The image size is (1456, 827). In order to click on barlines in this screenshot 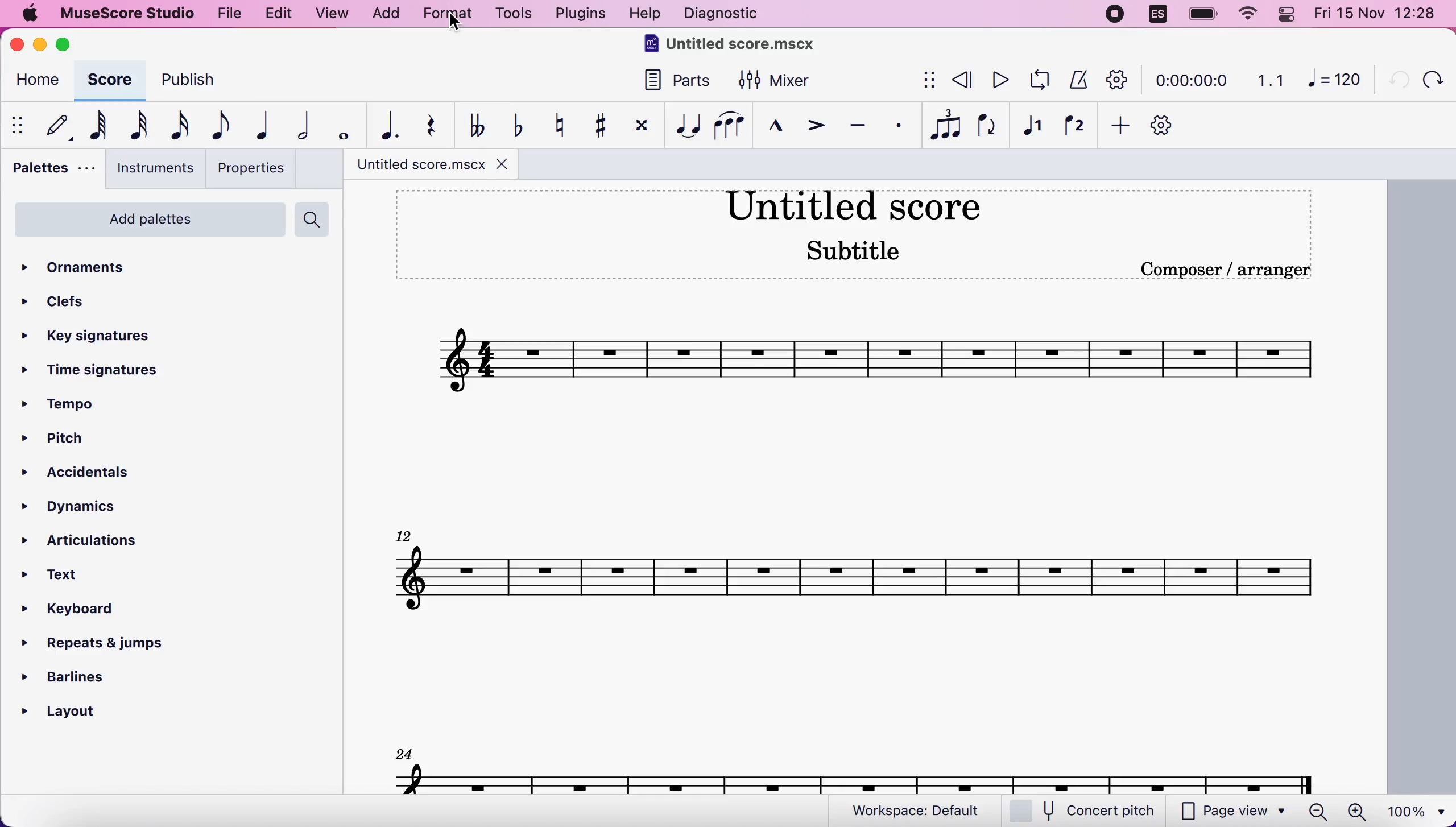, I will do `click(94, 673)`.